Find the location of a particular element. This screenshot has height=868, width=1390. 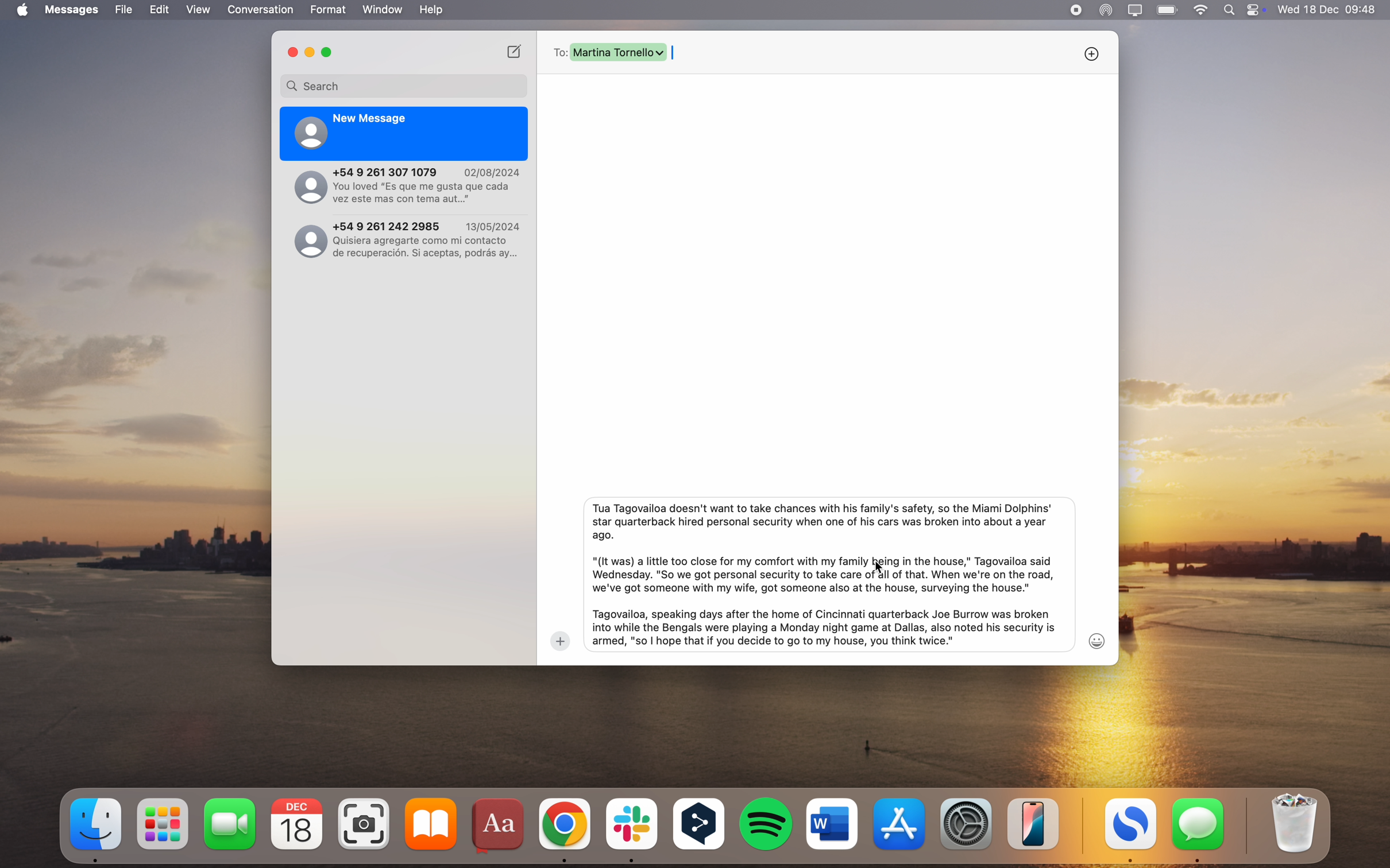

add is located at coordinates (560, 641).